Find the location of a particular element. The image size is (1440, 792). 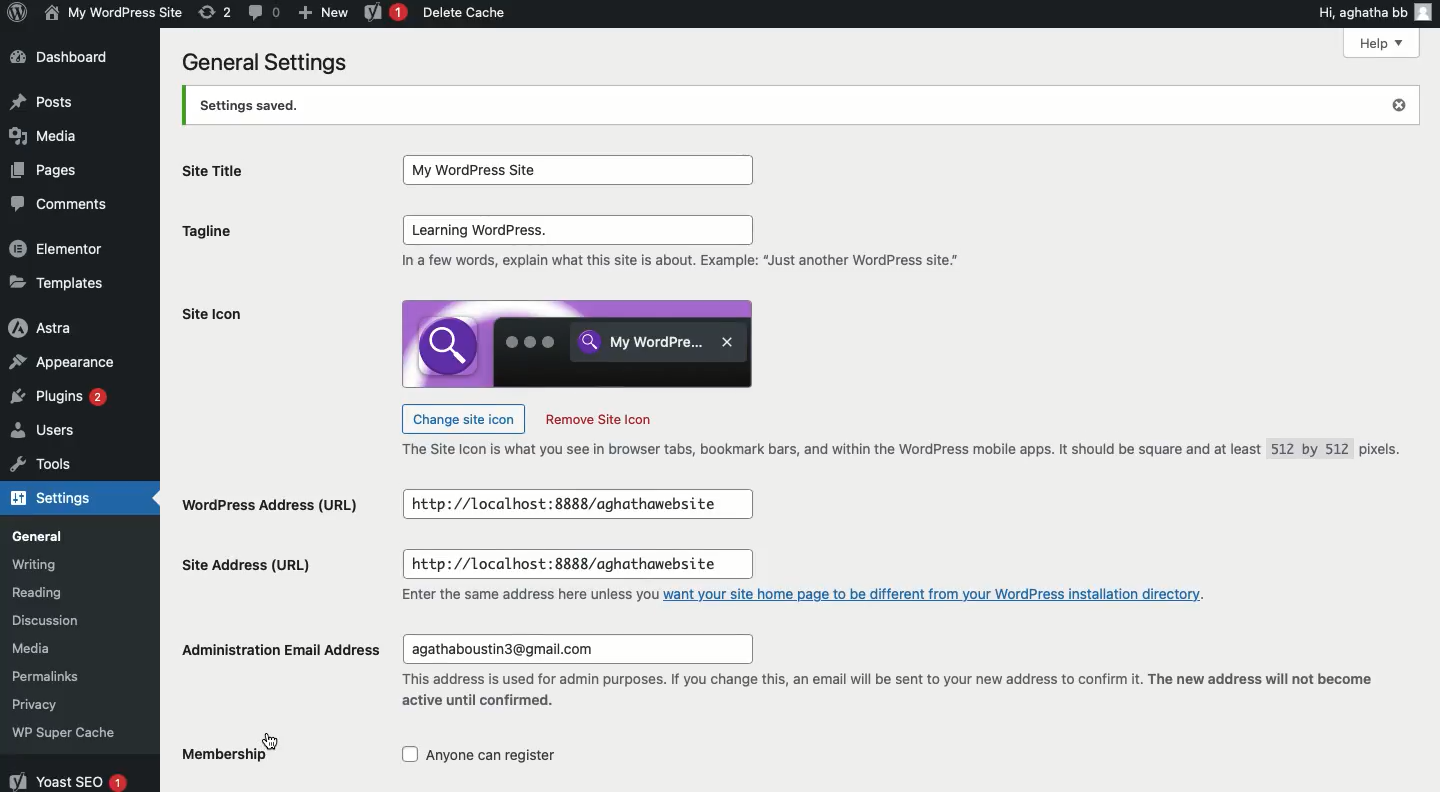

Comment is located at coordinates (61, 204).